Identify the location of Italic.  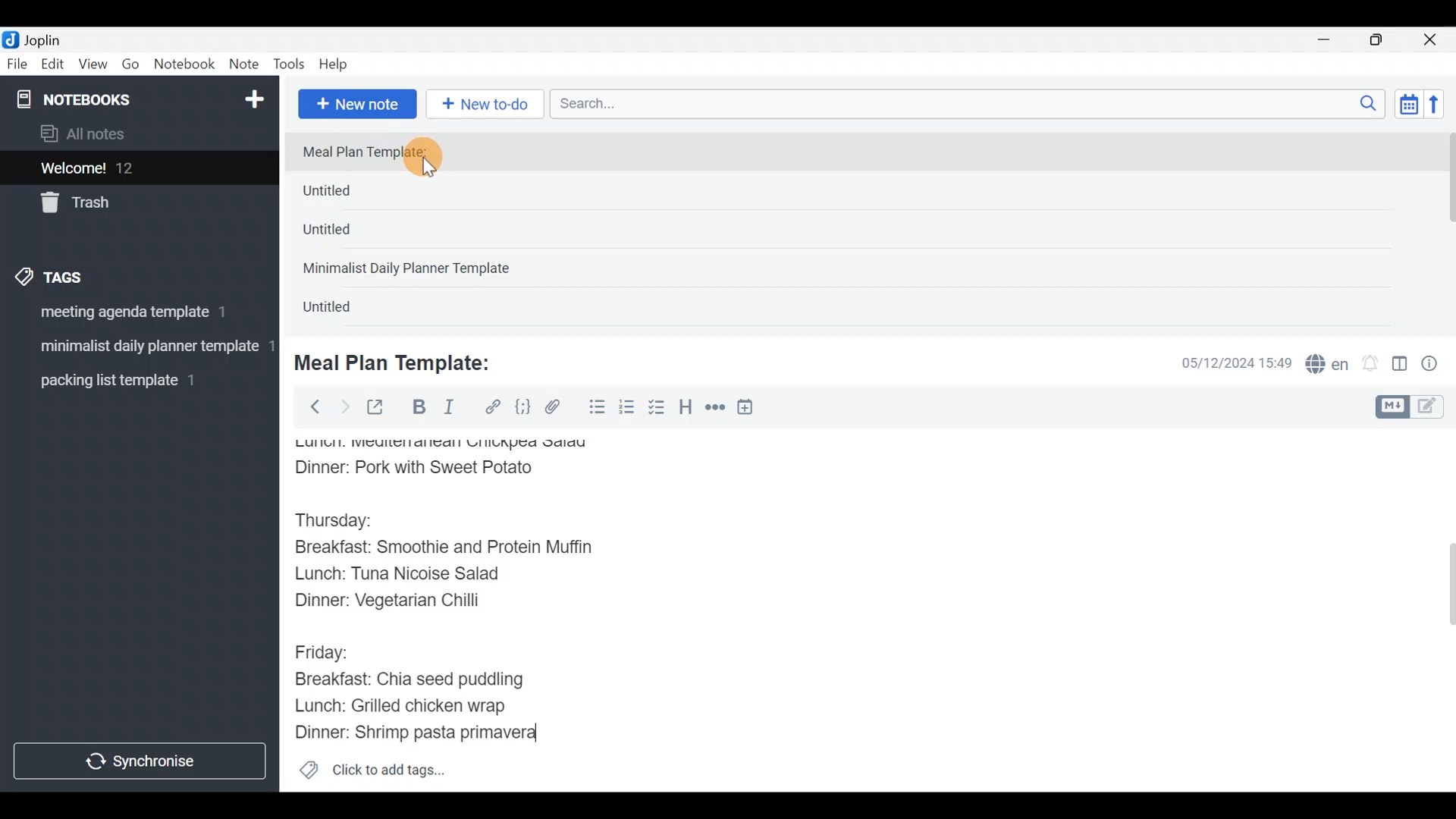
(447, 410).